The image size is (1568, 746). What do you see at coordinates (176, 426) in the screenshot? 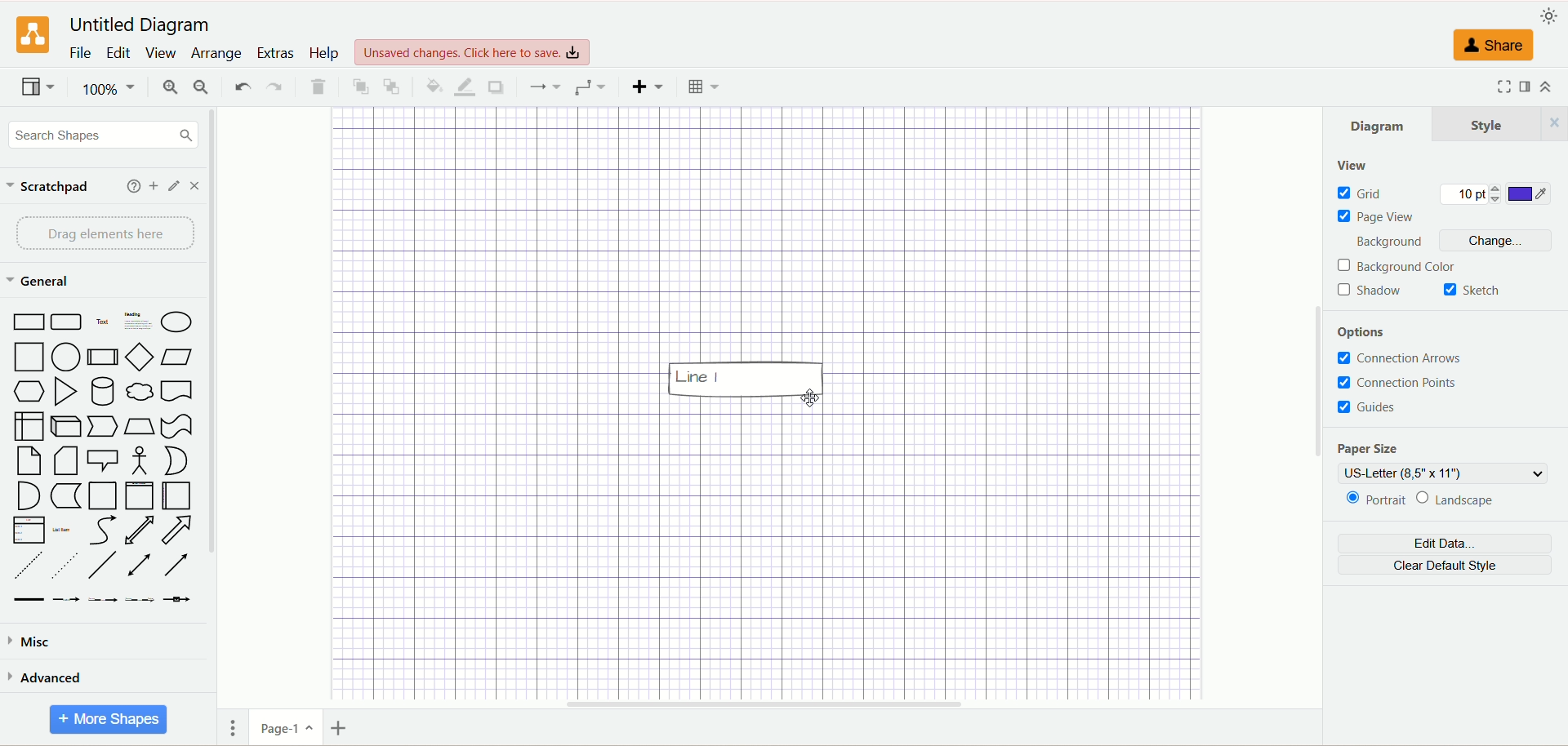
I see `Tape` at bounding box center [176, 426].